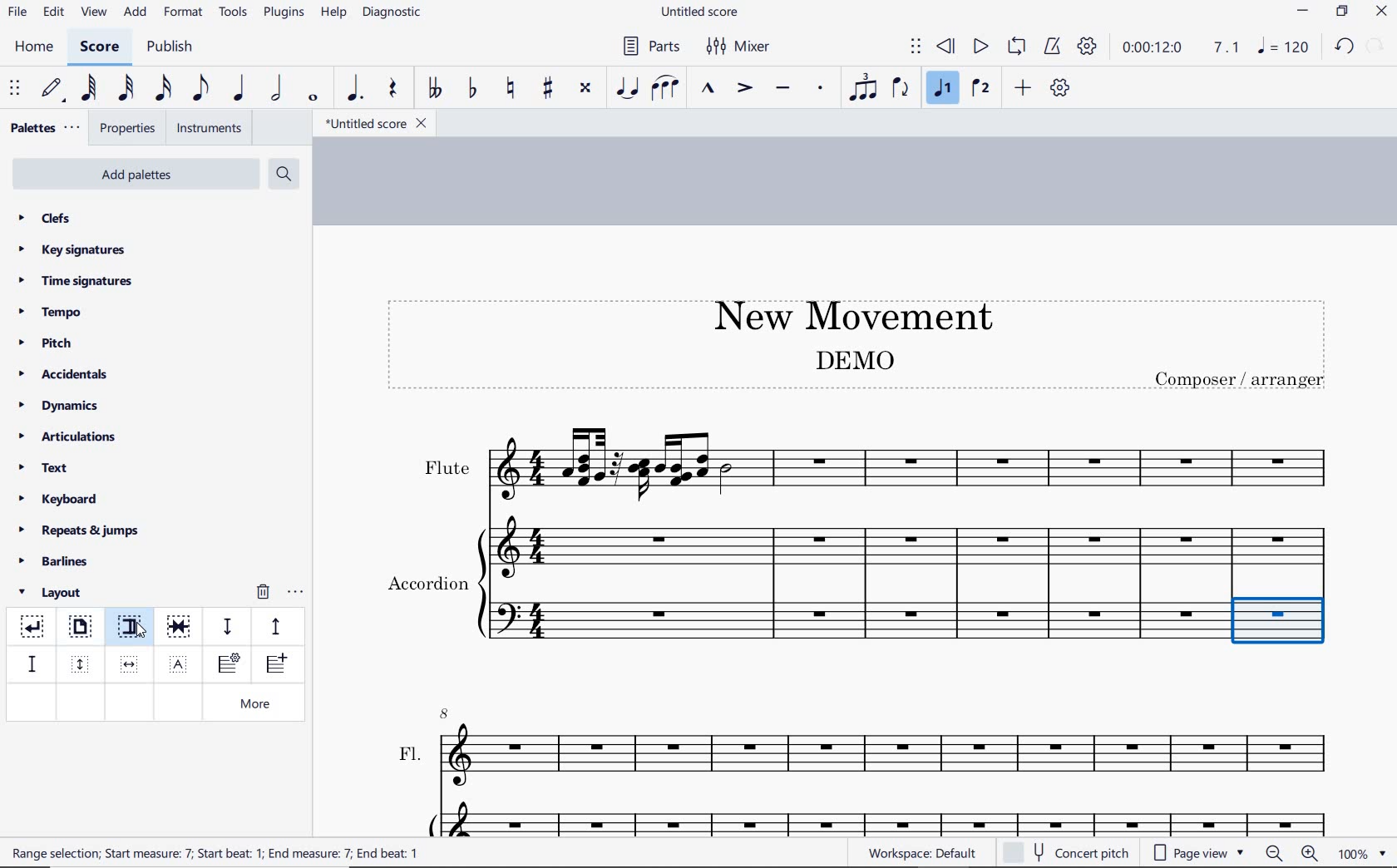 The image size is (1397, 868). Describe the element at coordinates (71, 249) in the screenshot. I see `key signatures` at that location.